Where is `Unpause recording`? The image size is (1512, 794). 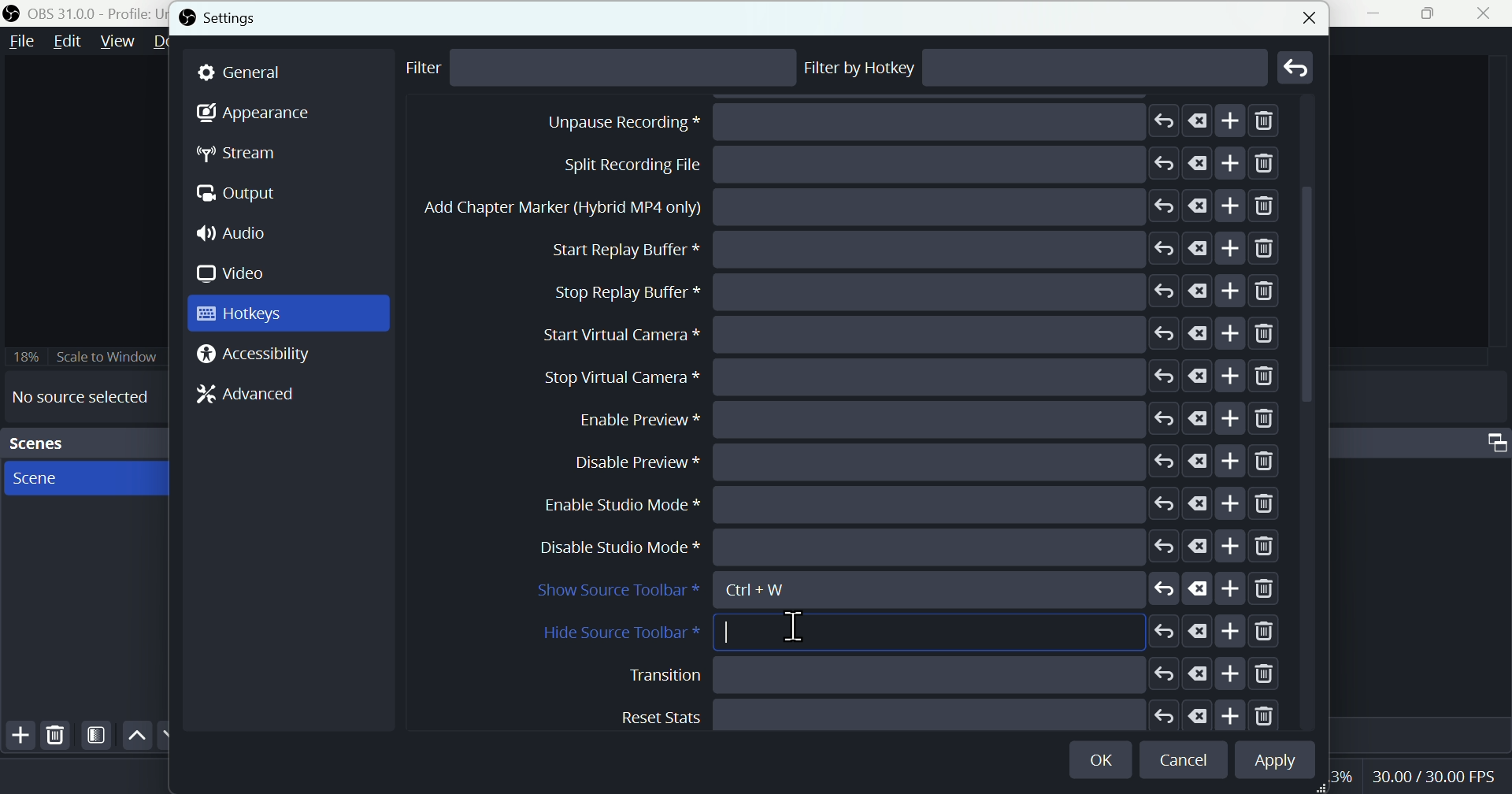
Unpause recording is located at coordinates (921, 291).